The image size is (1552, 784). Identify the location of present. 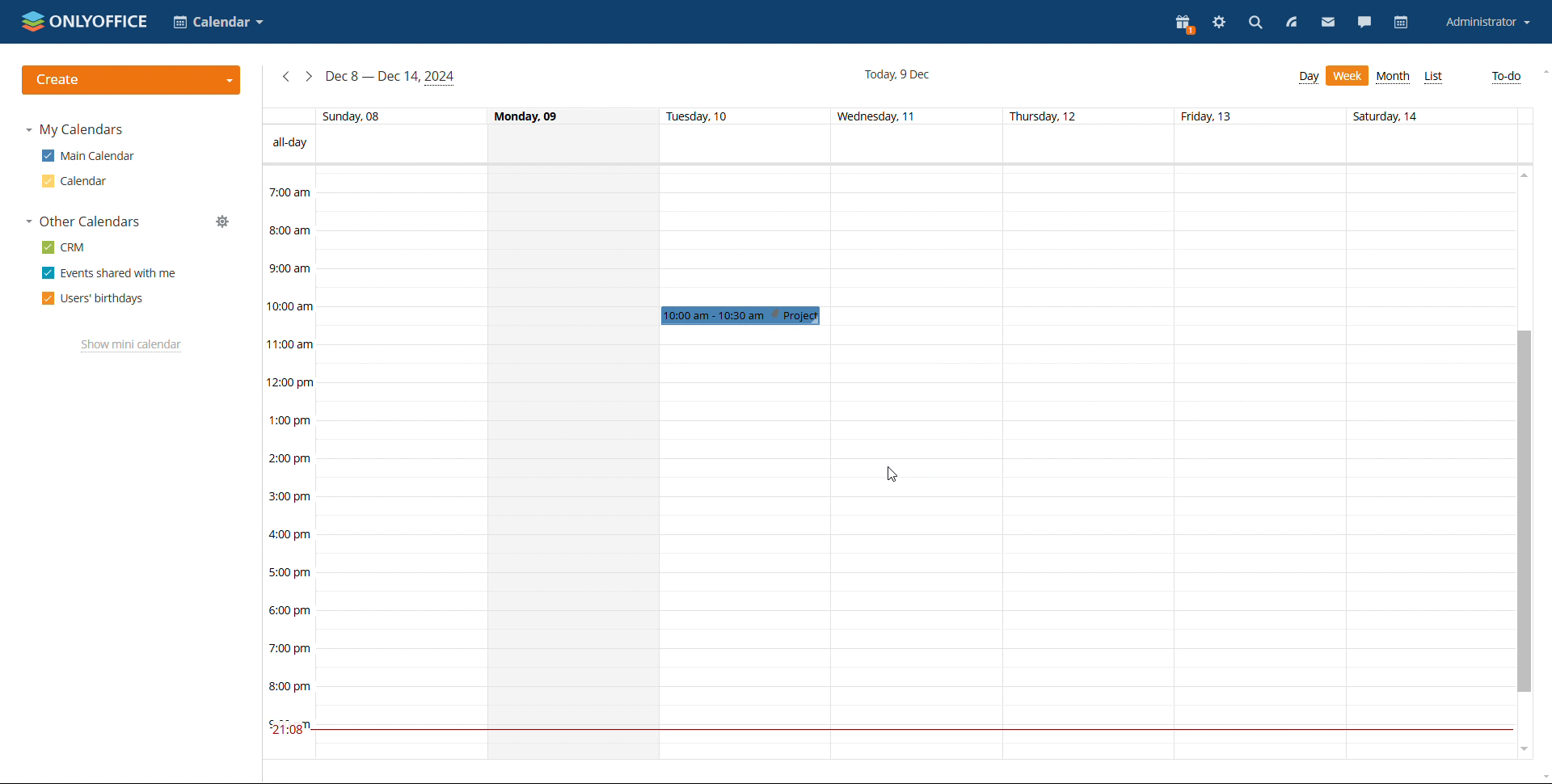
(1186, 25).